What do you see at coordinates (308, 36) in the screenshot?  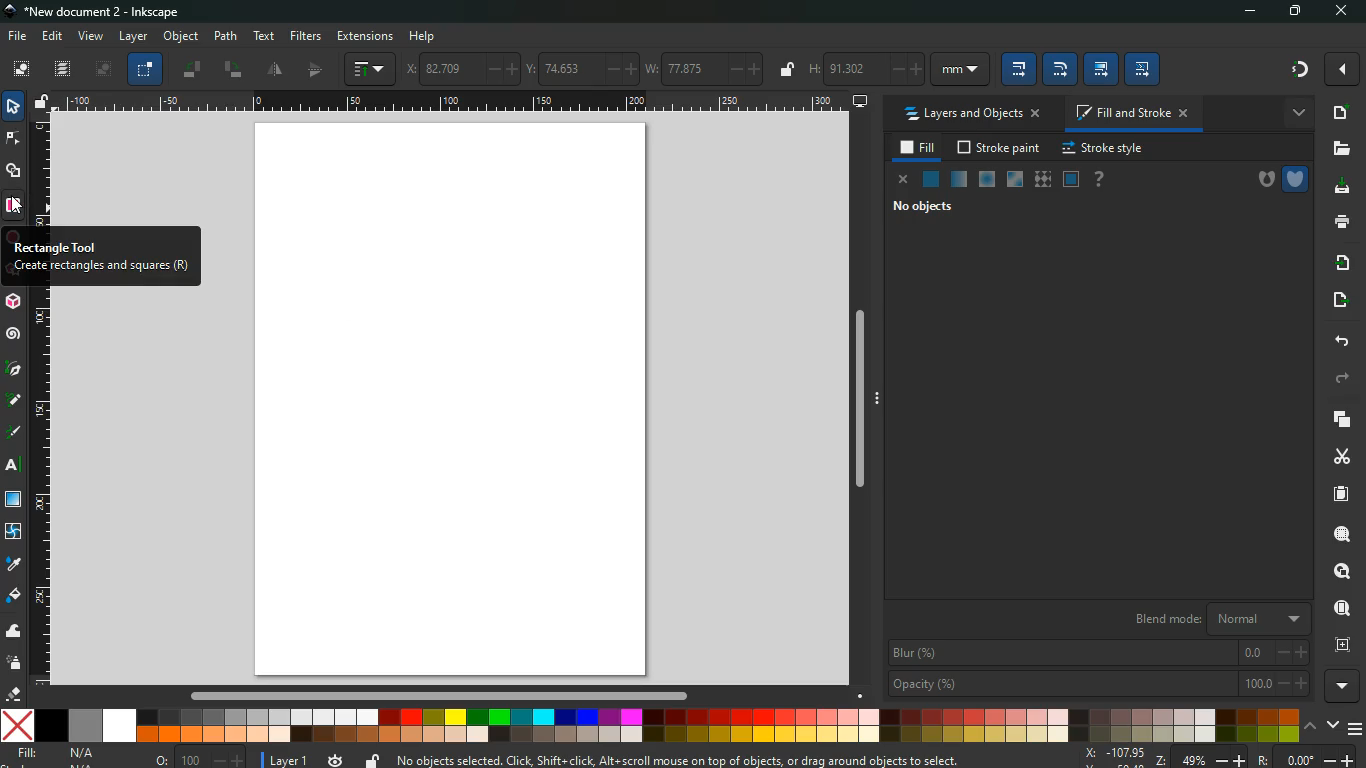 I see `filters` at bounding box center [308, 36].